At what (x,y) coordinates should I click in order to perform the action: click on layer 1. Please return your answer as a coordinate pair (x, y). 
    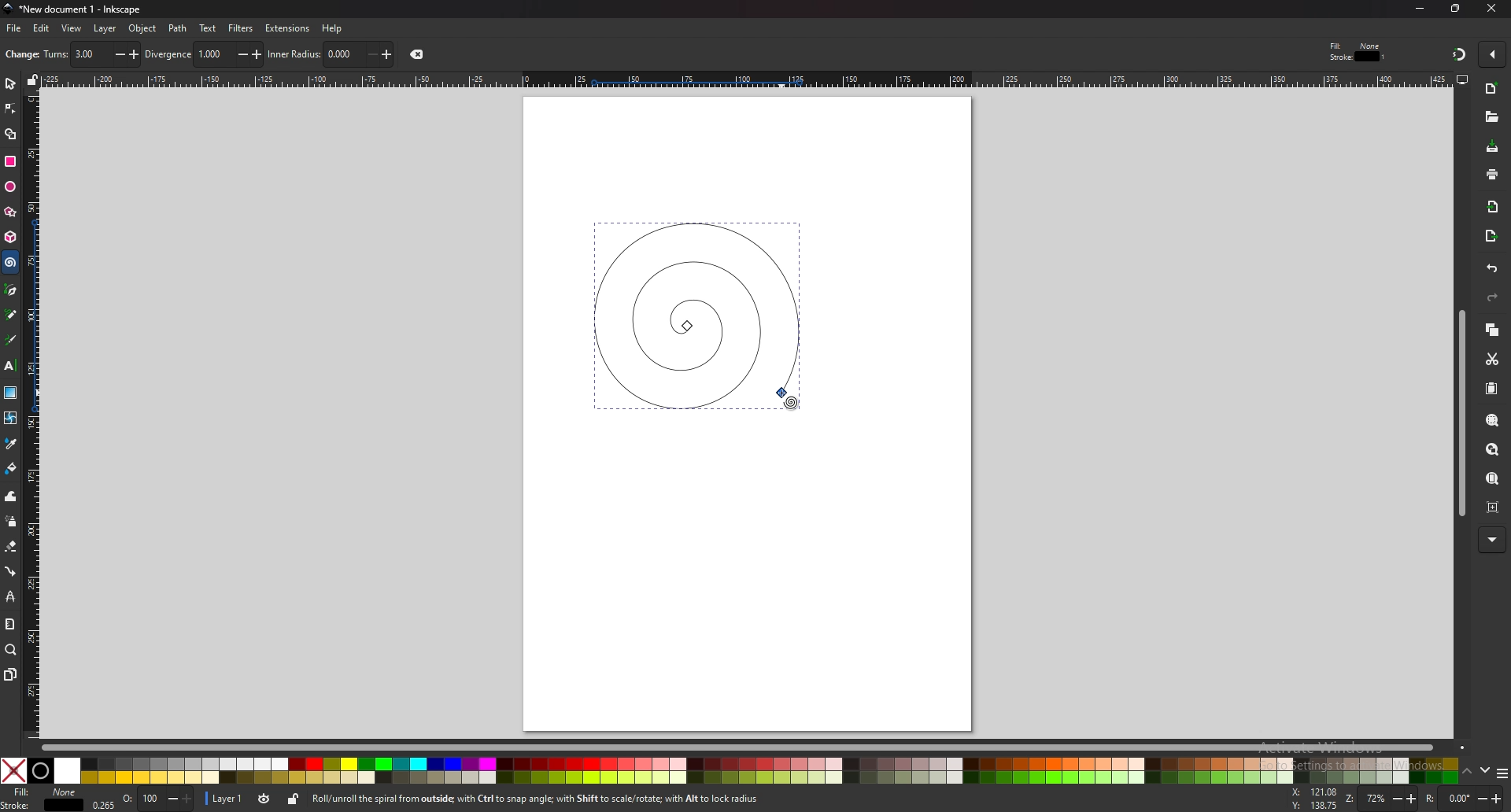
    Looking at the image, I should click on (227, 799).